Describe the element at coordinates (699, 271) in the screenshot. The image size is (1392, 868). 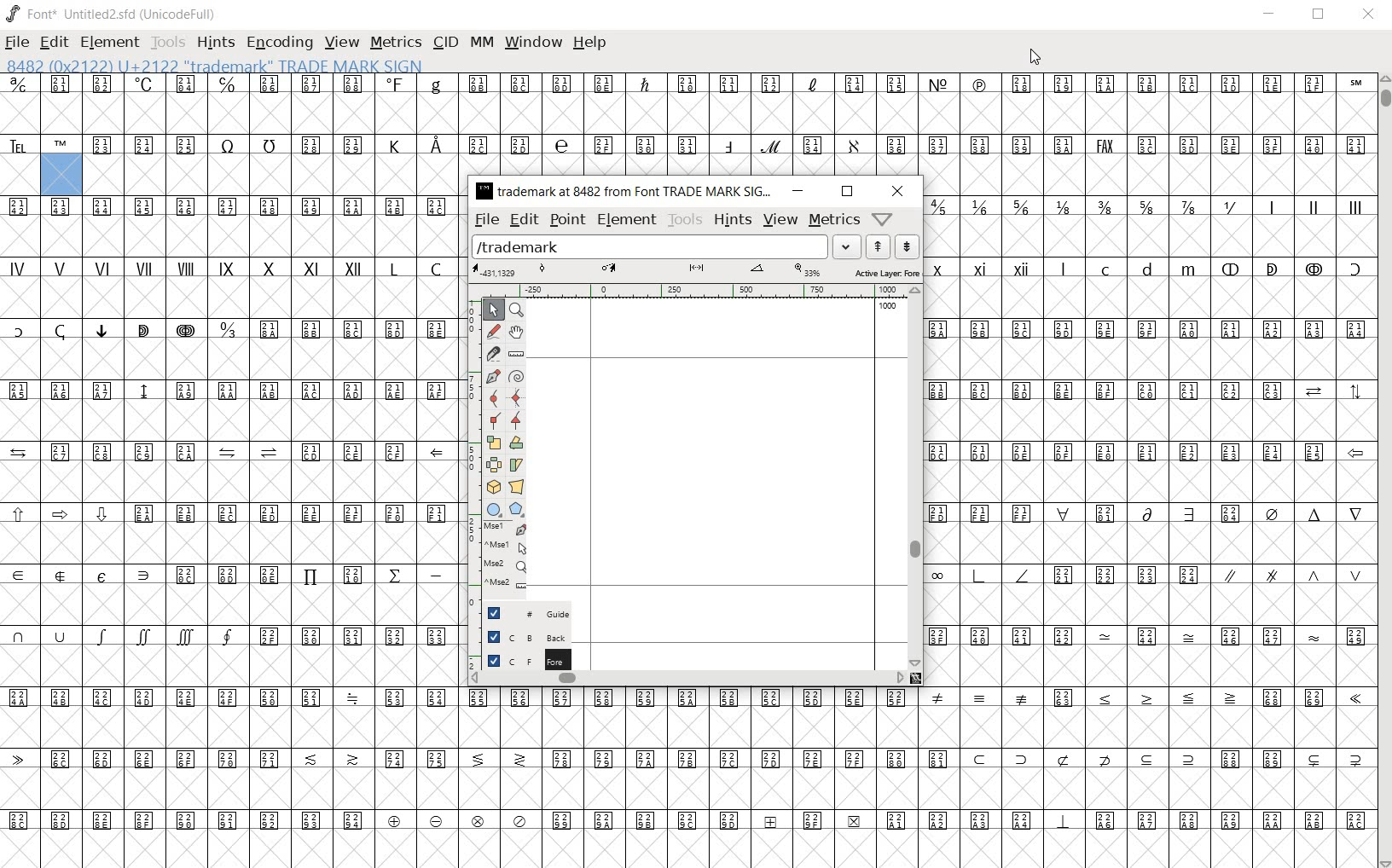
I see `active layer: foreground` at that location.